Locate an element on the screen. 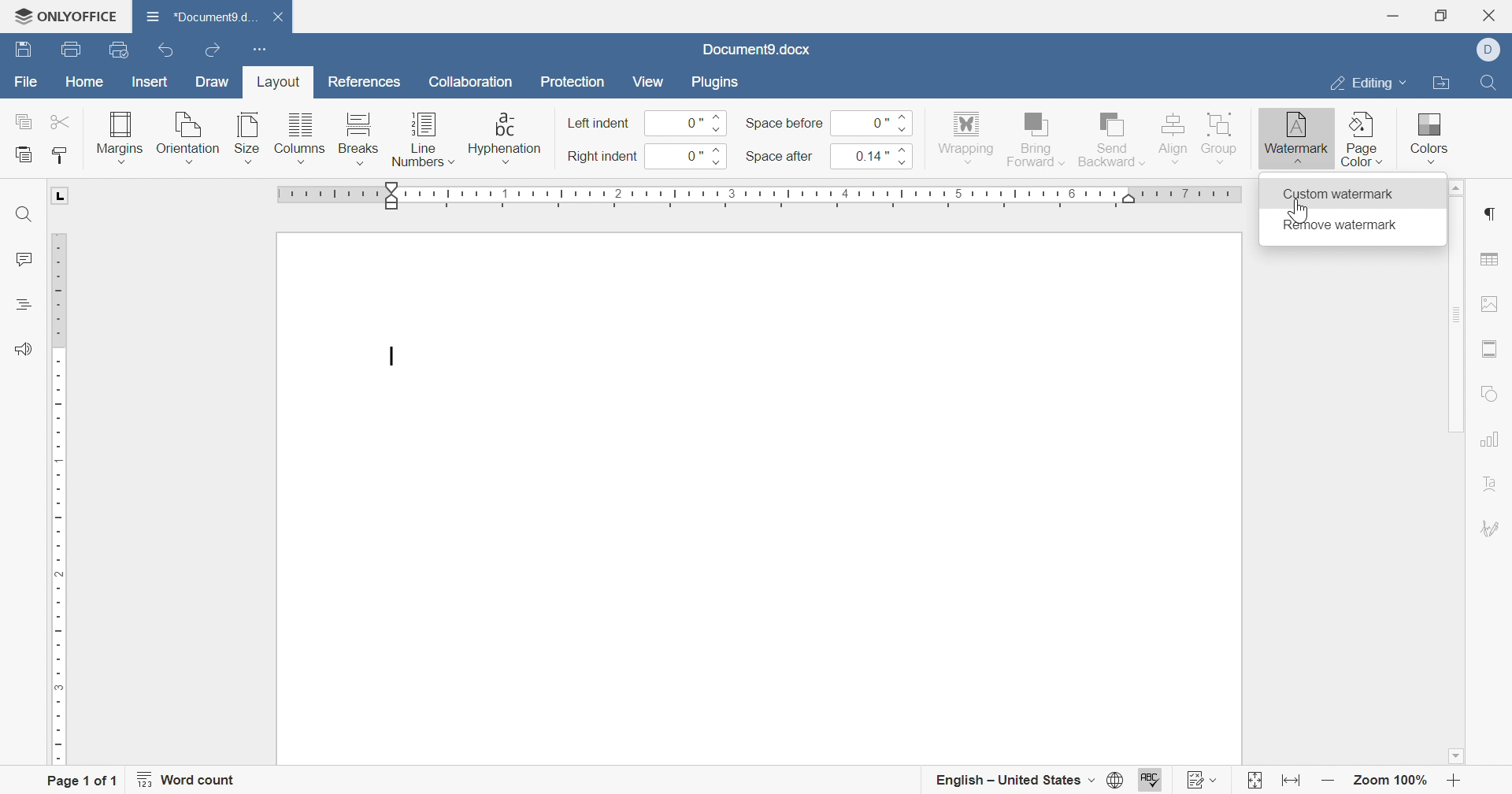 Image resolution: width=1512 pixels, height=794 pixels. L is located at coordinates (62, 195).